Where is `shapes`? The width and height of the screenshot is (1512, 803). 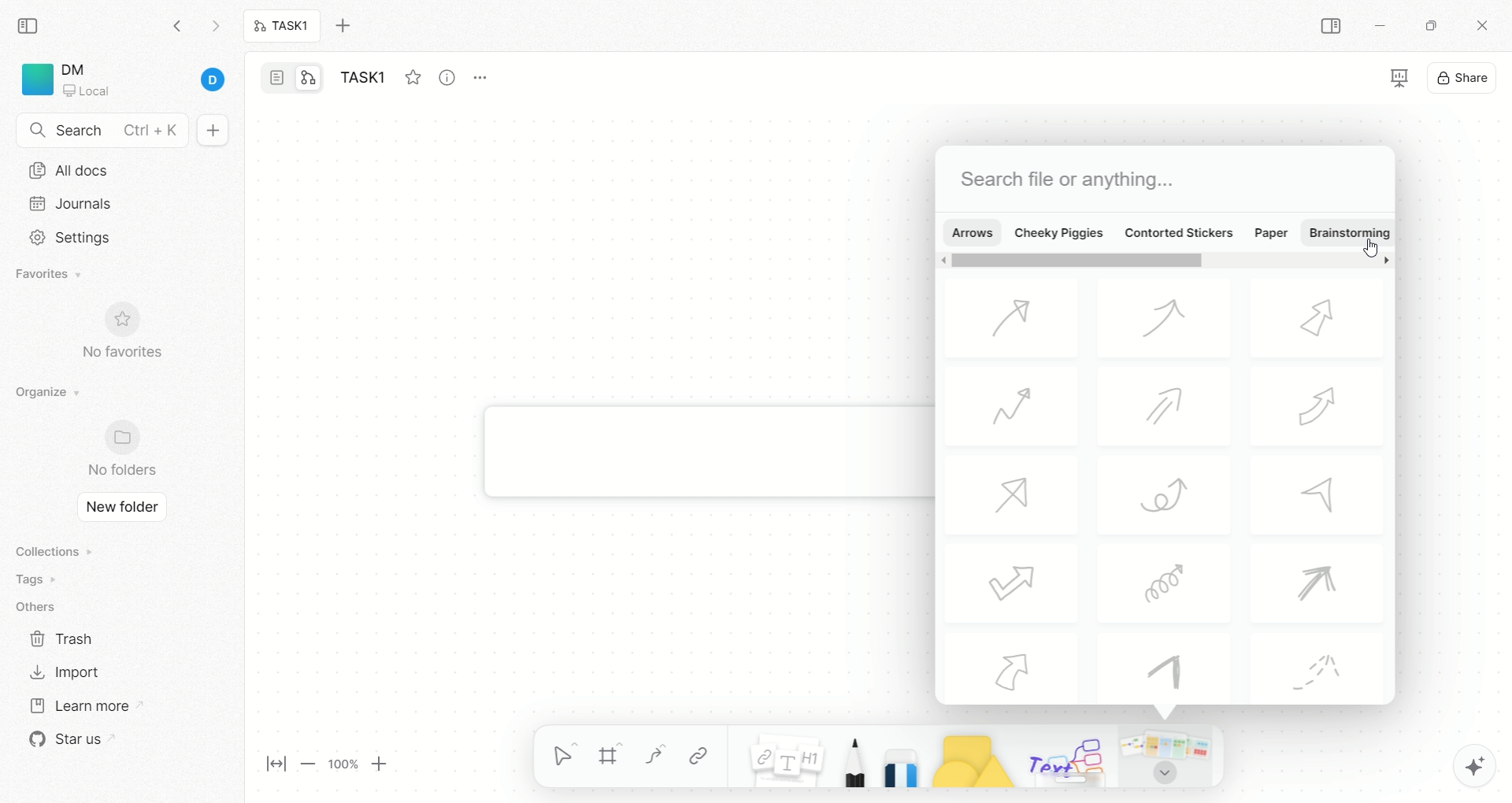 shapes is located at coordinates (965, 757).